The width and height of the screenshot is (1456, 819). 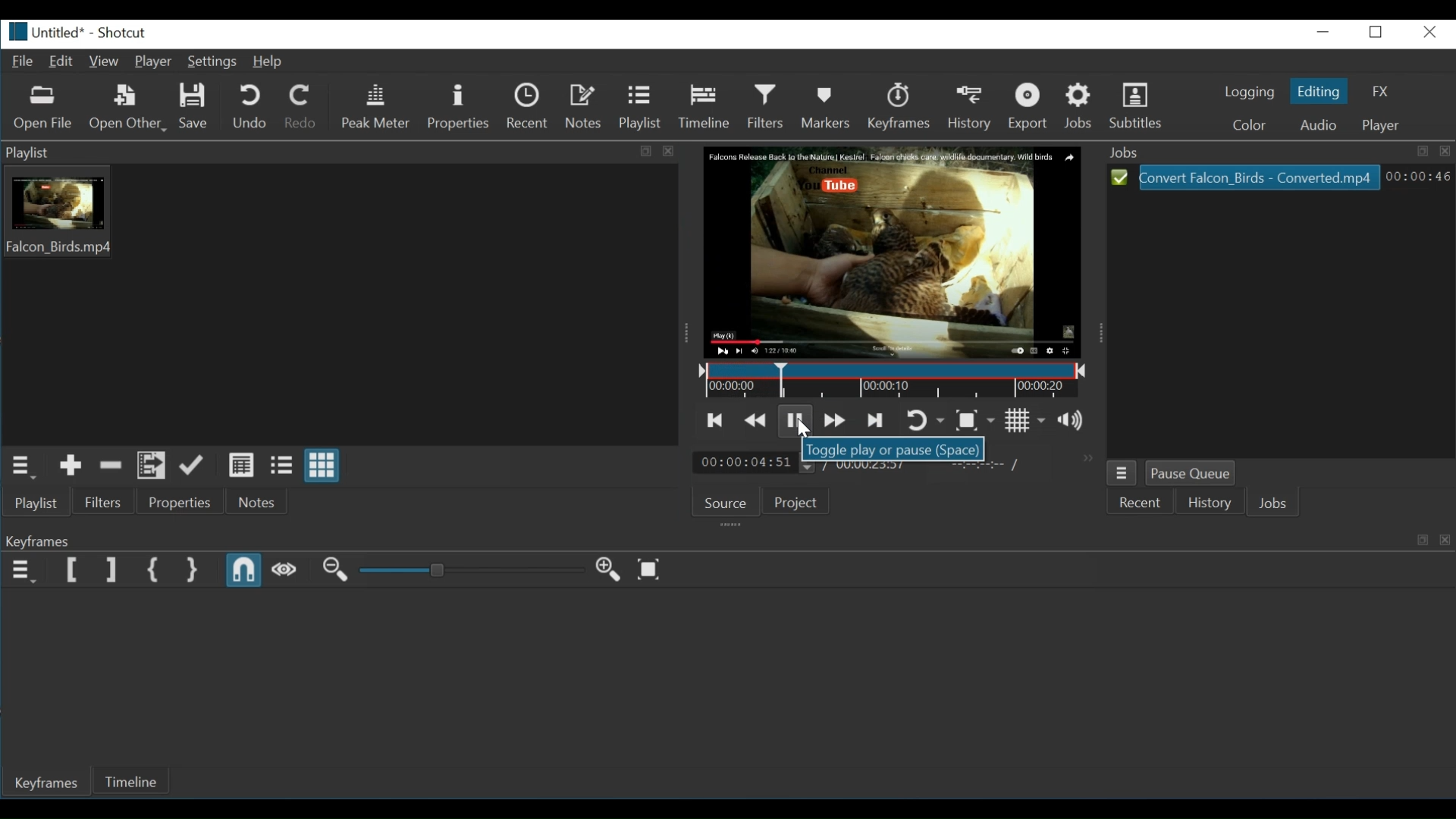 I want to click on Skip to the previous point, so click(x=715, y=420).